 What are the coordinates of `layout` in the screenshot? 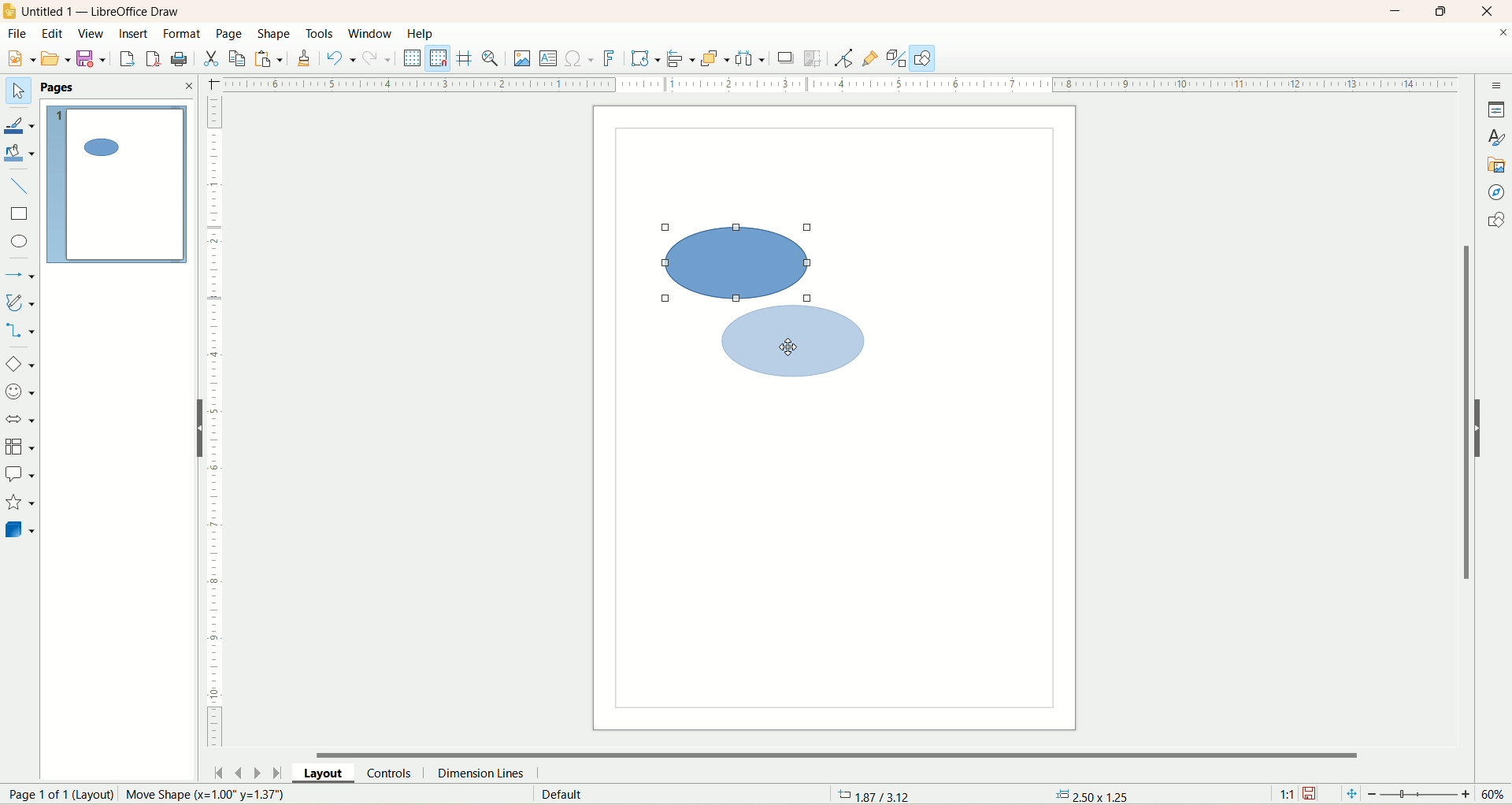 It's located at (327, 772).